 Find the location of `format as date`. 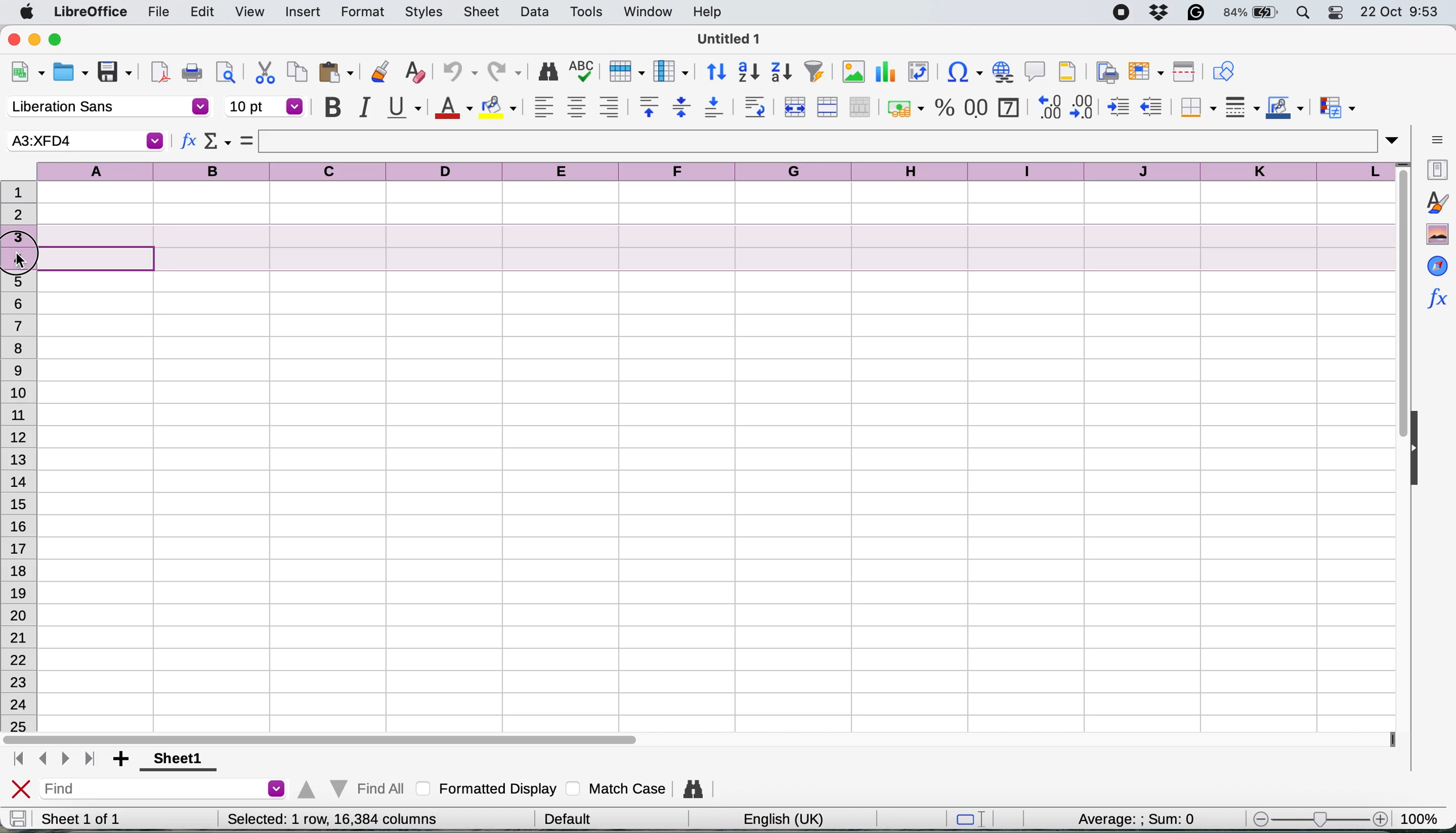

format as date is located at coordinates (1008, 106).